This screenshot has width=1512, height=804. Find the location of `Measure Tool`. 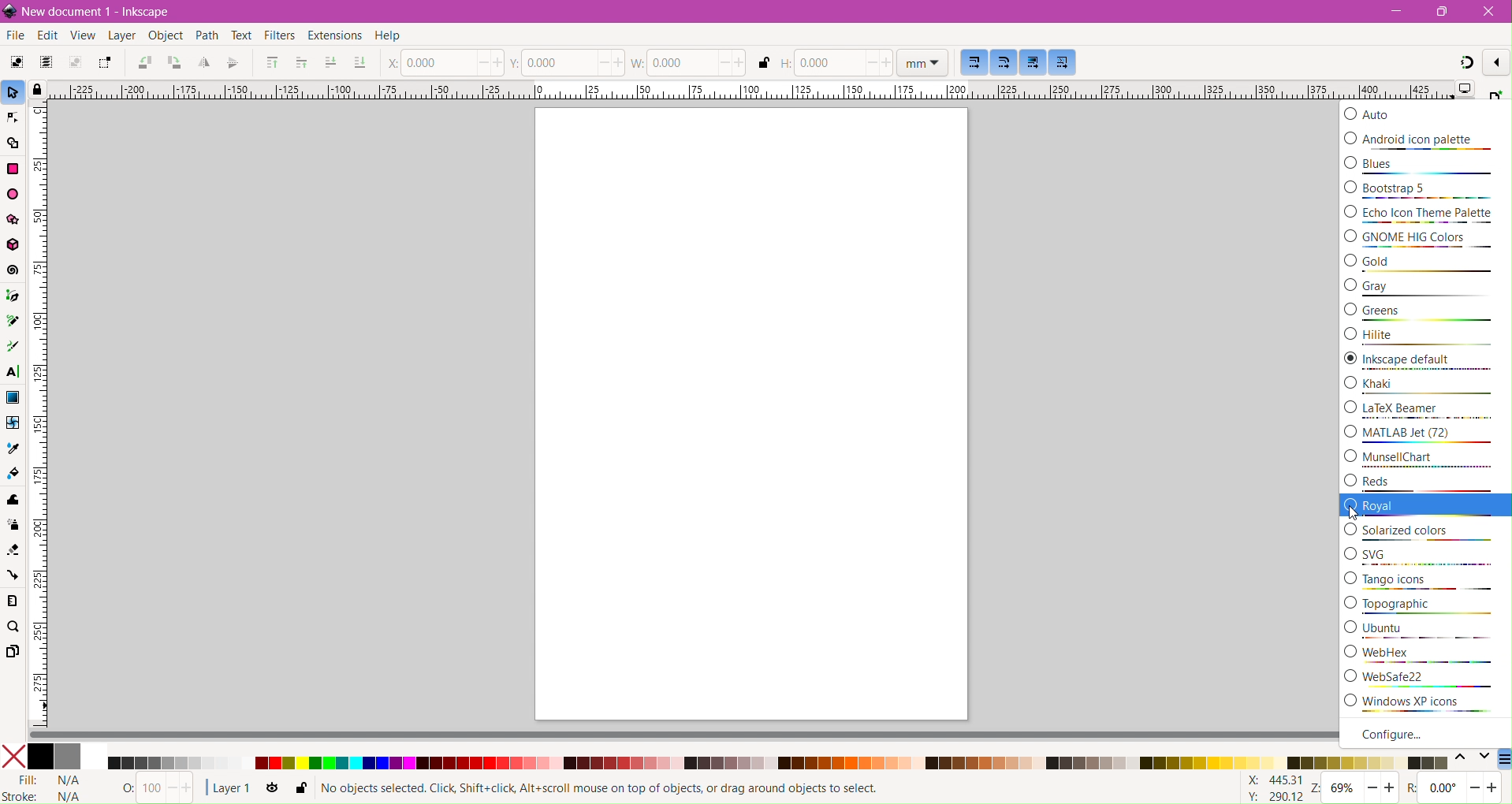

Measure Tool is located at coordinates (13, 602).